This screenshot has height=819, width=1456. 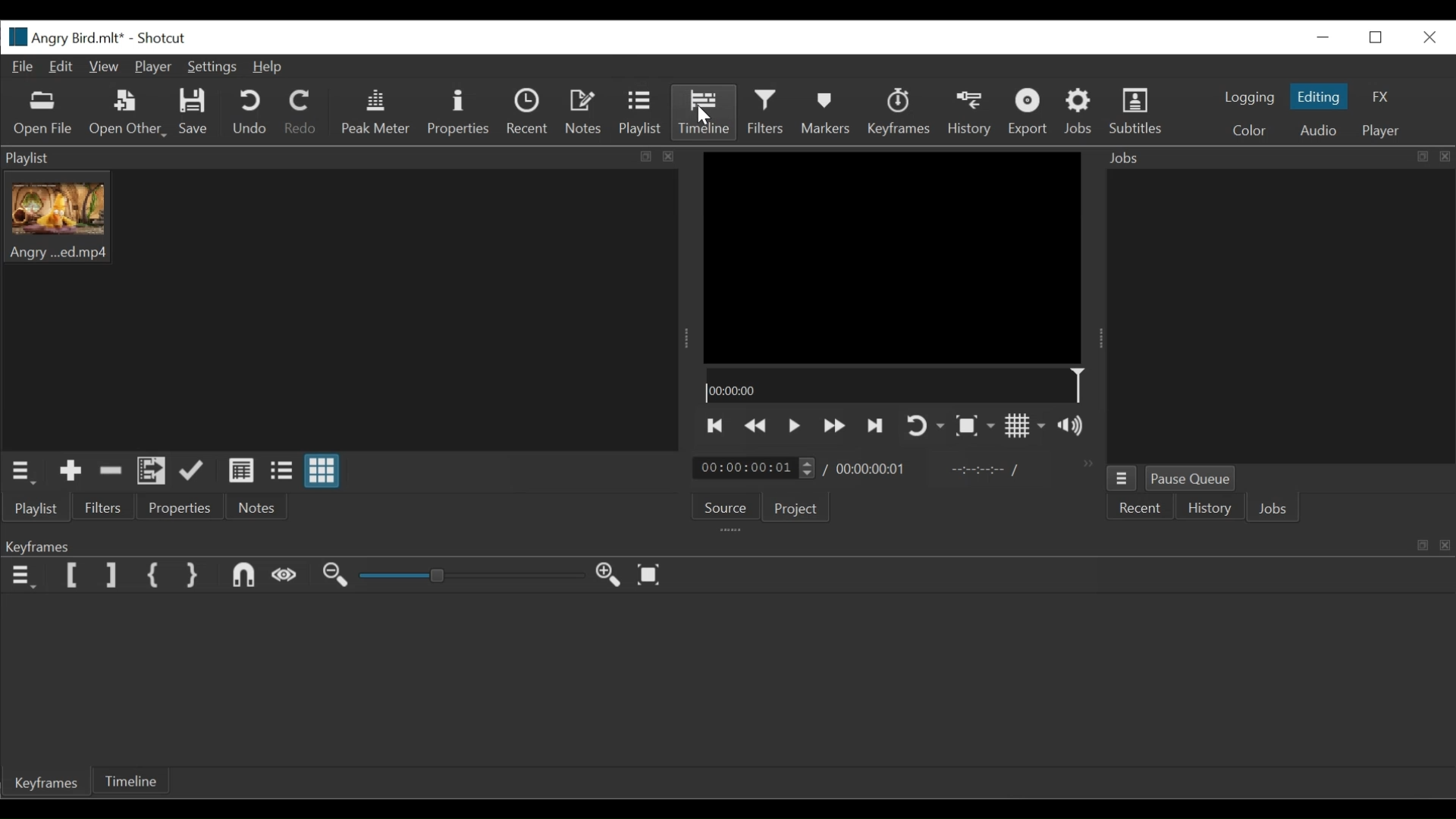 What do you see at coordinates (984, 469) in the screenshot?
I see `In point` at bounding box center [984, 469].